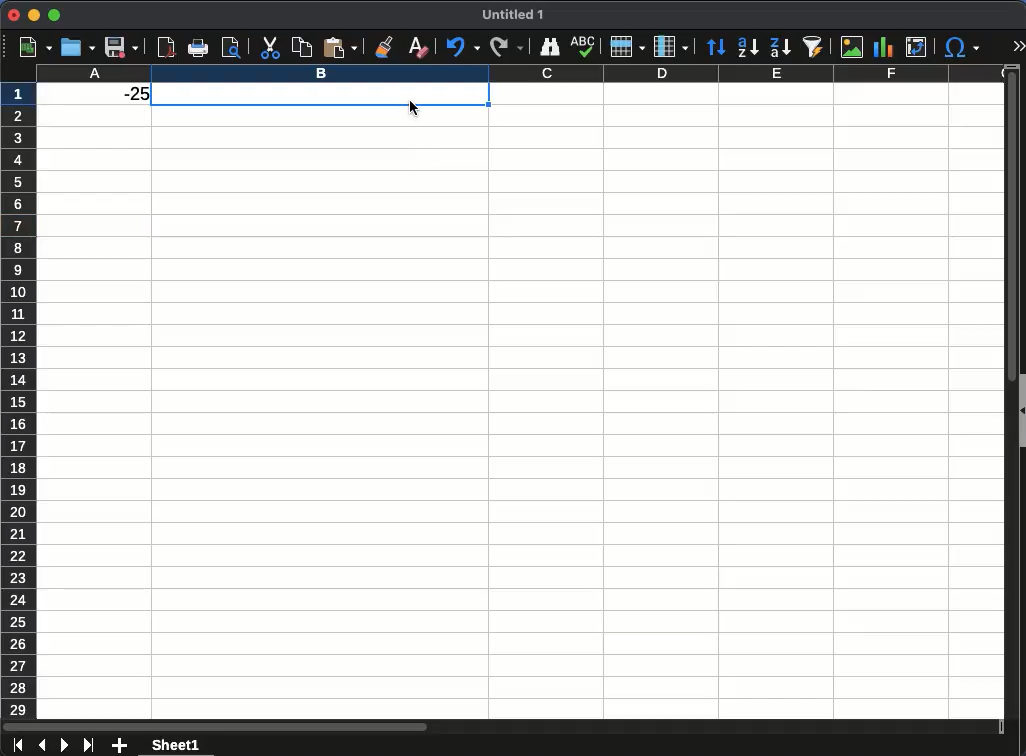 This screenshot has height=756, width=1026. Describe the element at coordinates (462, 47) in the screenshot. I see `undo` at that location.